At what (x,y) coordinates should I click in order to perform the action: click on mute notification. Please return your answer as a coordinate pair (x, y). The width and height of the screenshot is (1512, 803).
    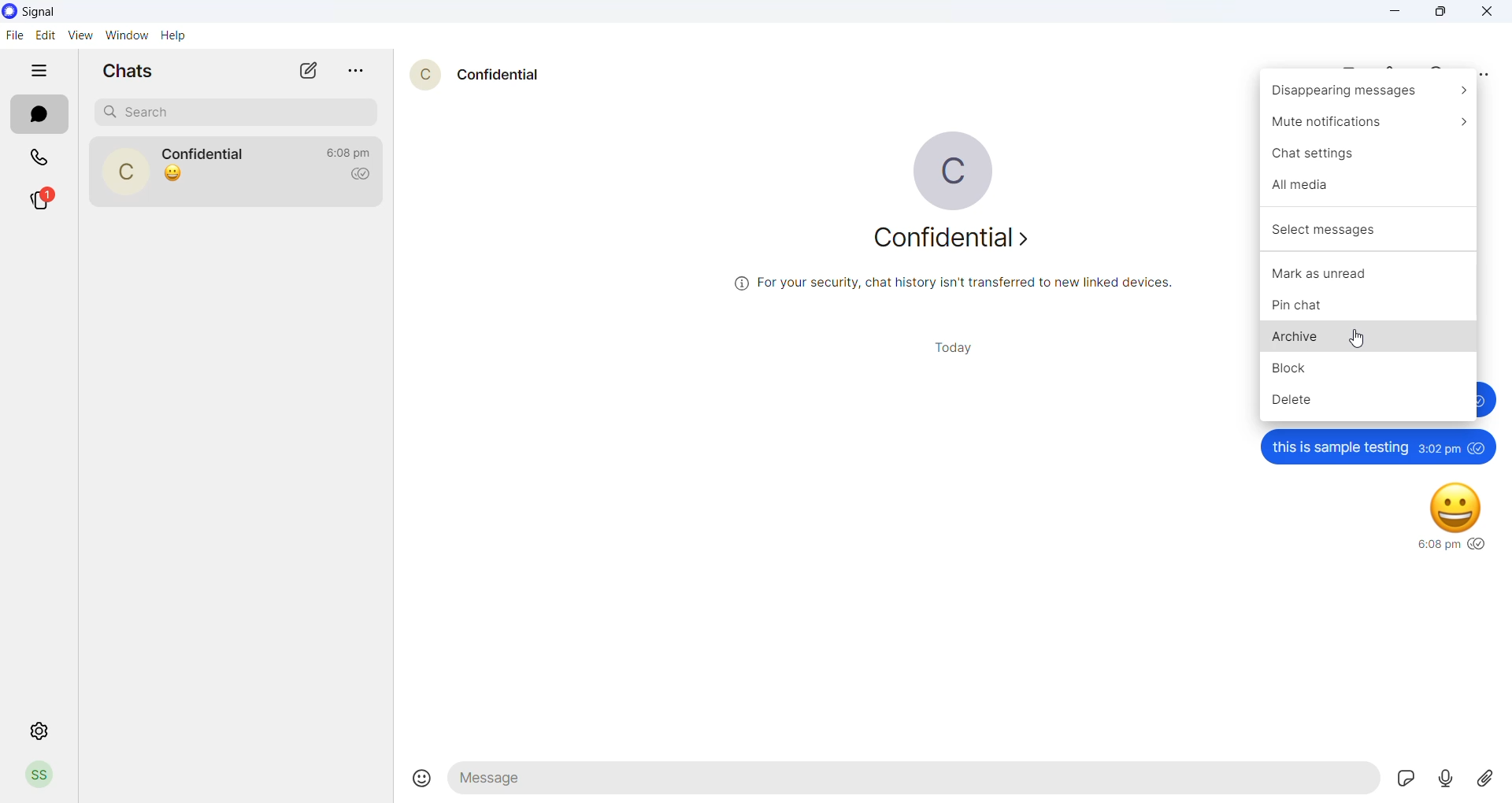
    Looking at the image, I should click on (1366, 128).